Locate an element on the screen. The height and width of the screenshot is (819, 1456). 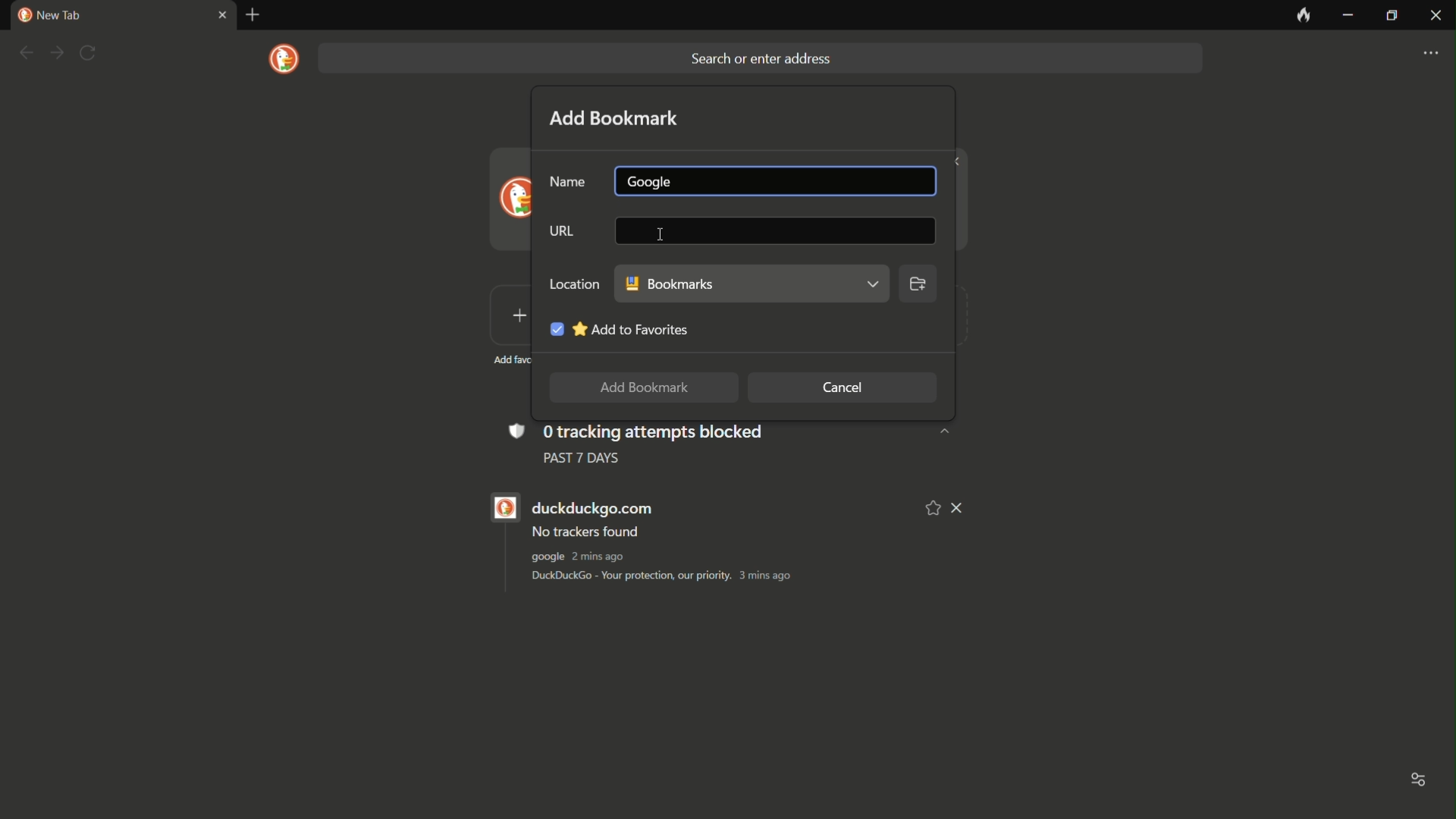
search bar is located at coordinates (758, 58).